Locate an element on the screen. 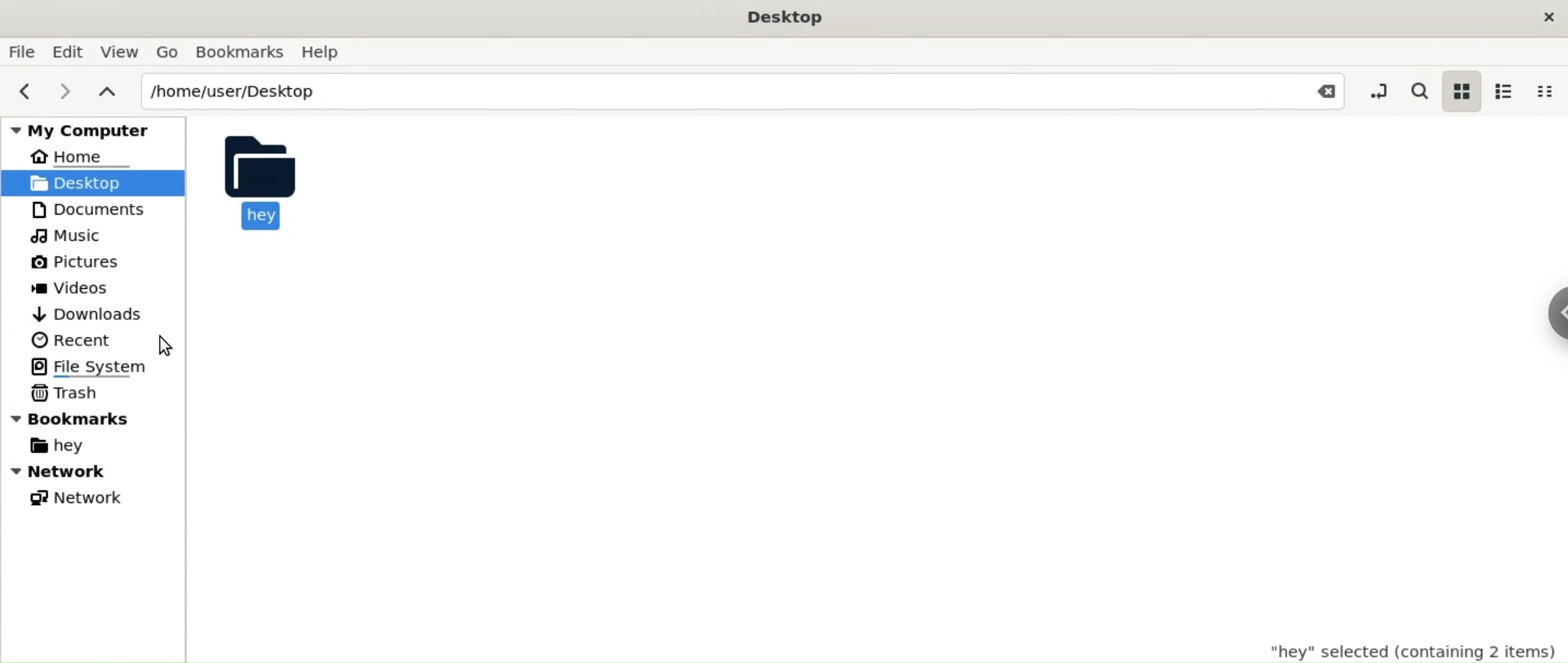 Image resolution: width=1568 pixels, height=663 pixels. Home is located at coordinates (80, 156).